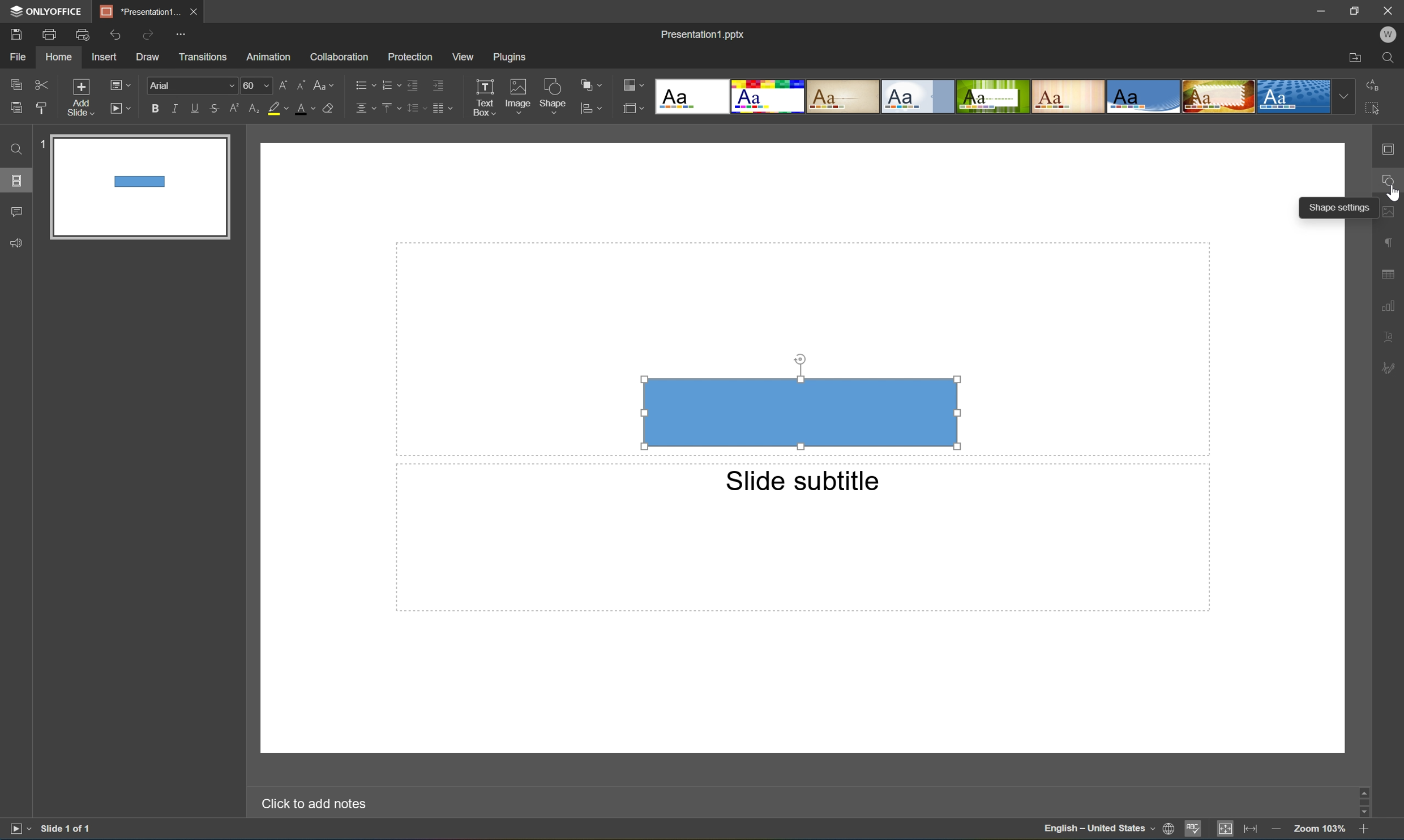 The width and height of the screenshot is (1404, 840). I want to click on Decrease indent, so click(413, 83).